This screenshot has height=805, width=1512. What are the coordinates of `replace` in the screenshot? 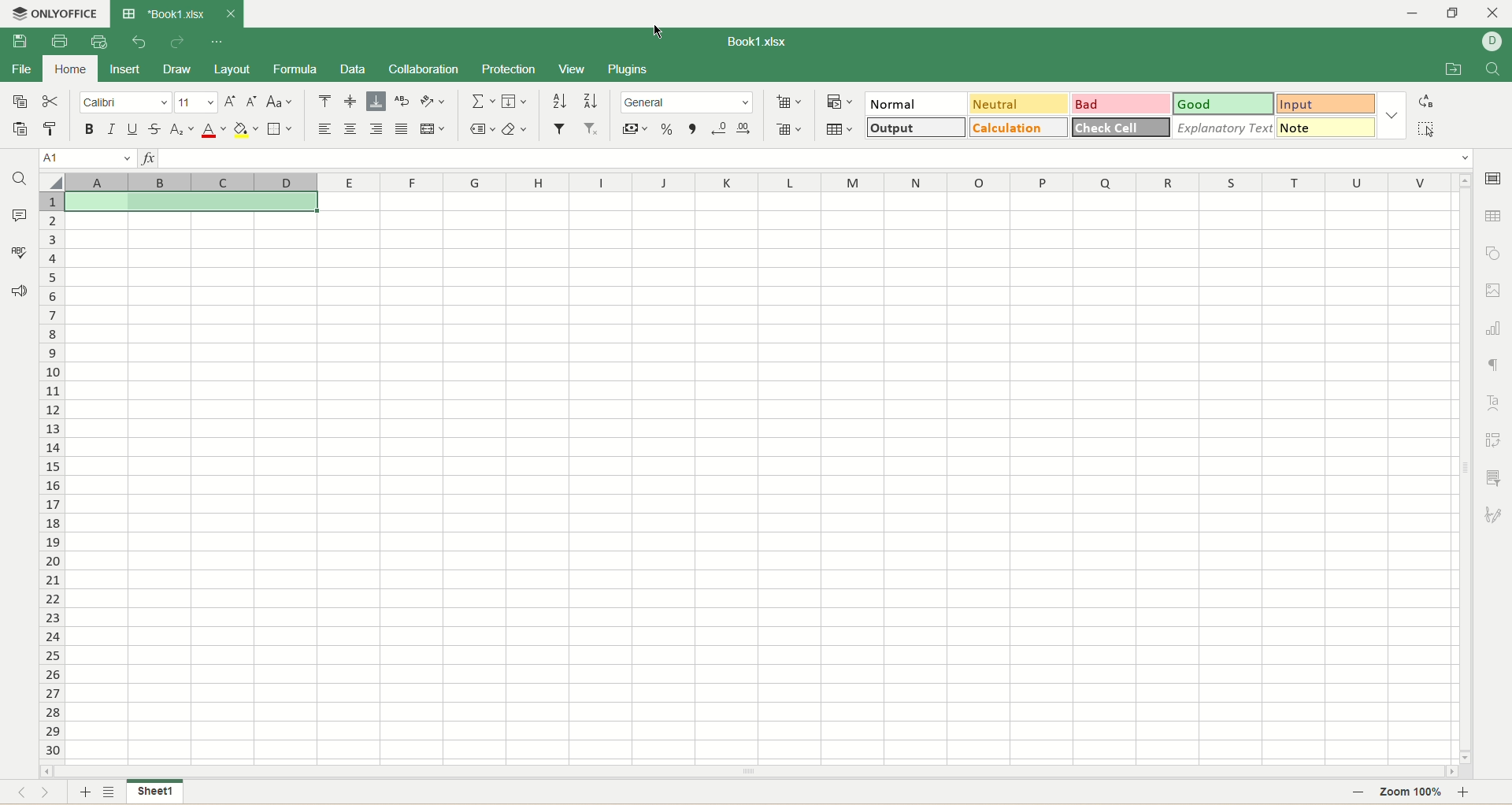 It's located at (1425, 102).